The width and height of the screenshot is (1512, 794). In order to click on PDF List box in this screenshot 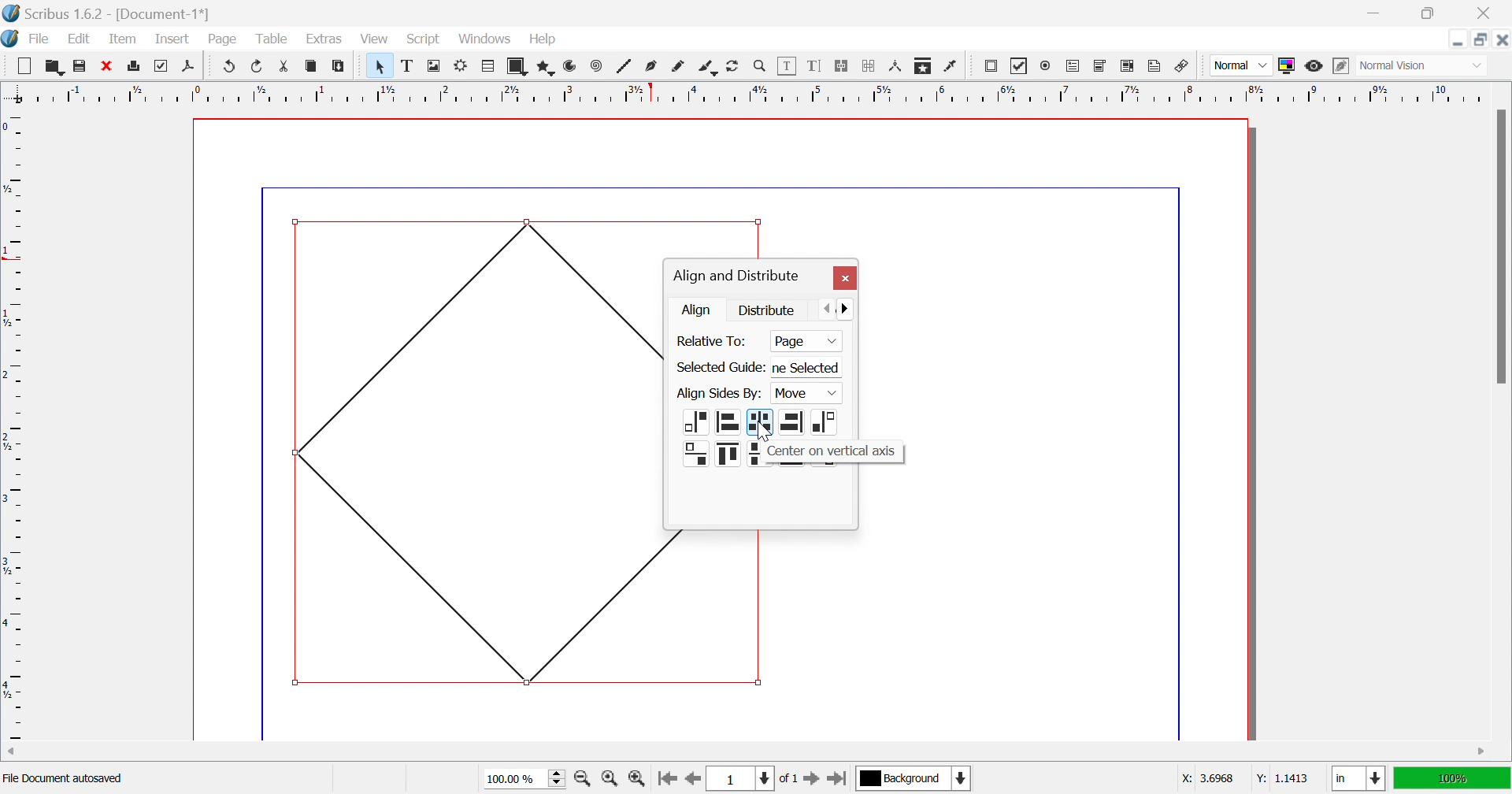, I will do `click(1128, 65)`.